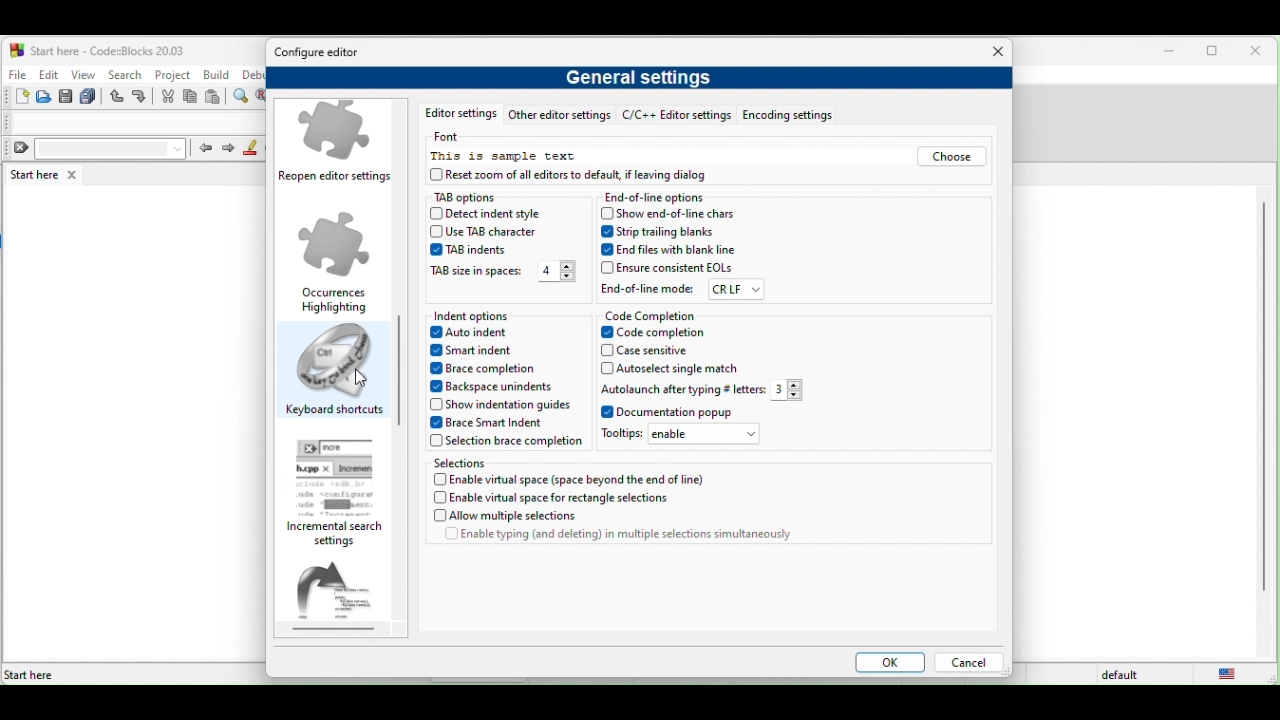  What do you see at coordinates (559, 117) in the screenshot?
I see `other editor setting` at bounding box center [559, 117].